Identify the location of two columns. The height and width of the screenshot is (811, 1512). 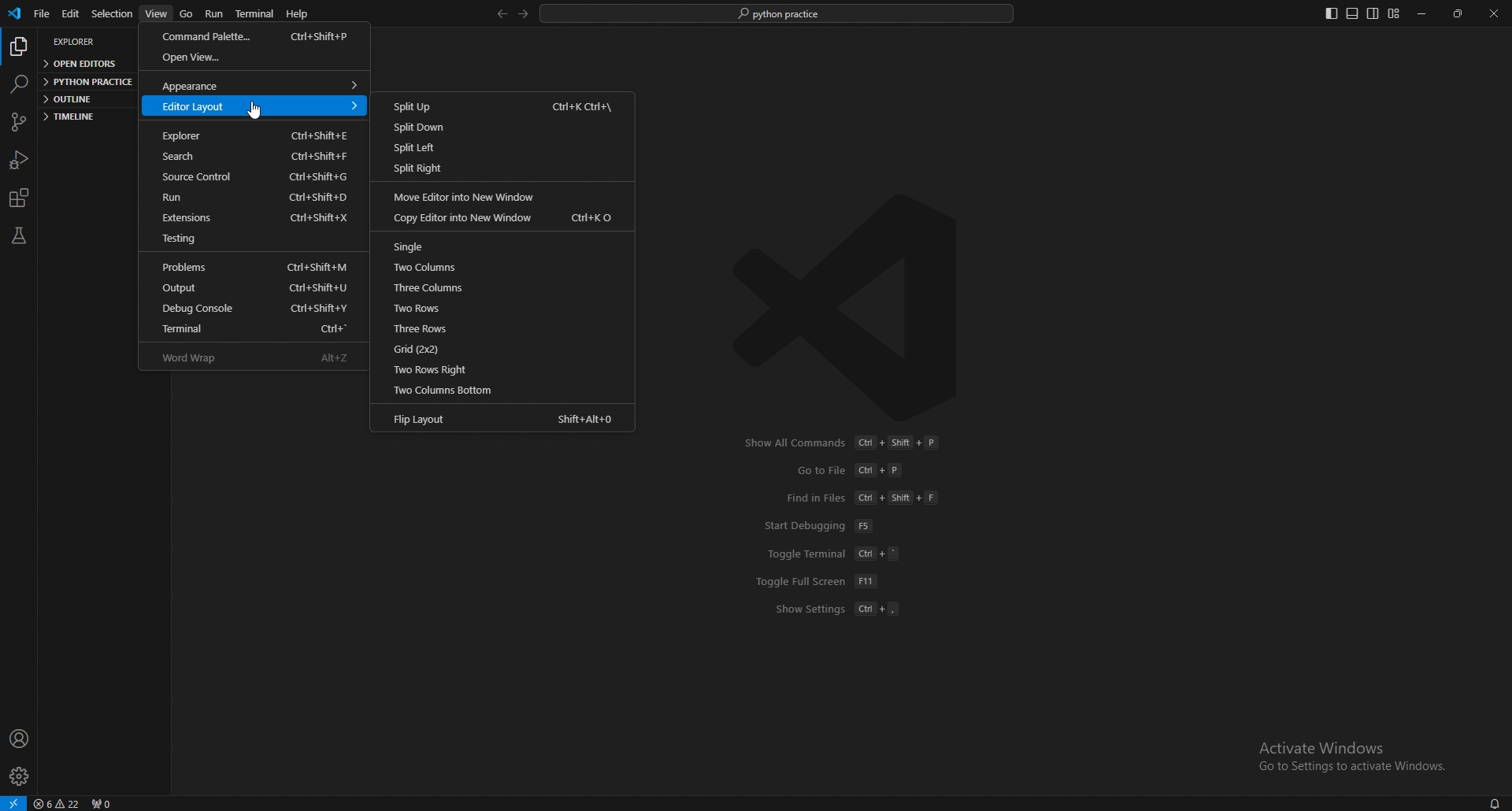
(492, 268).